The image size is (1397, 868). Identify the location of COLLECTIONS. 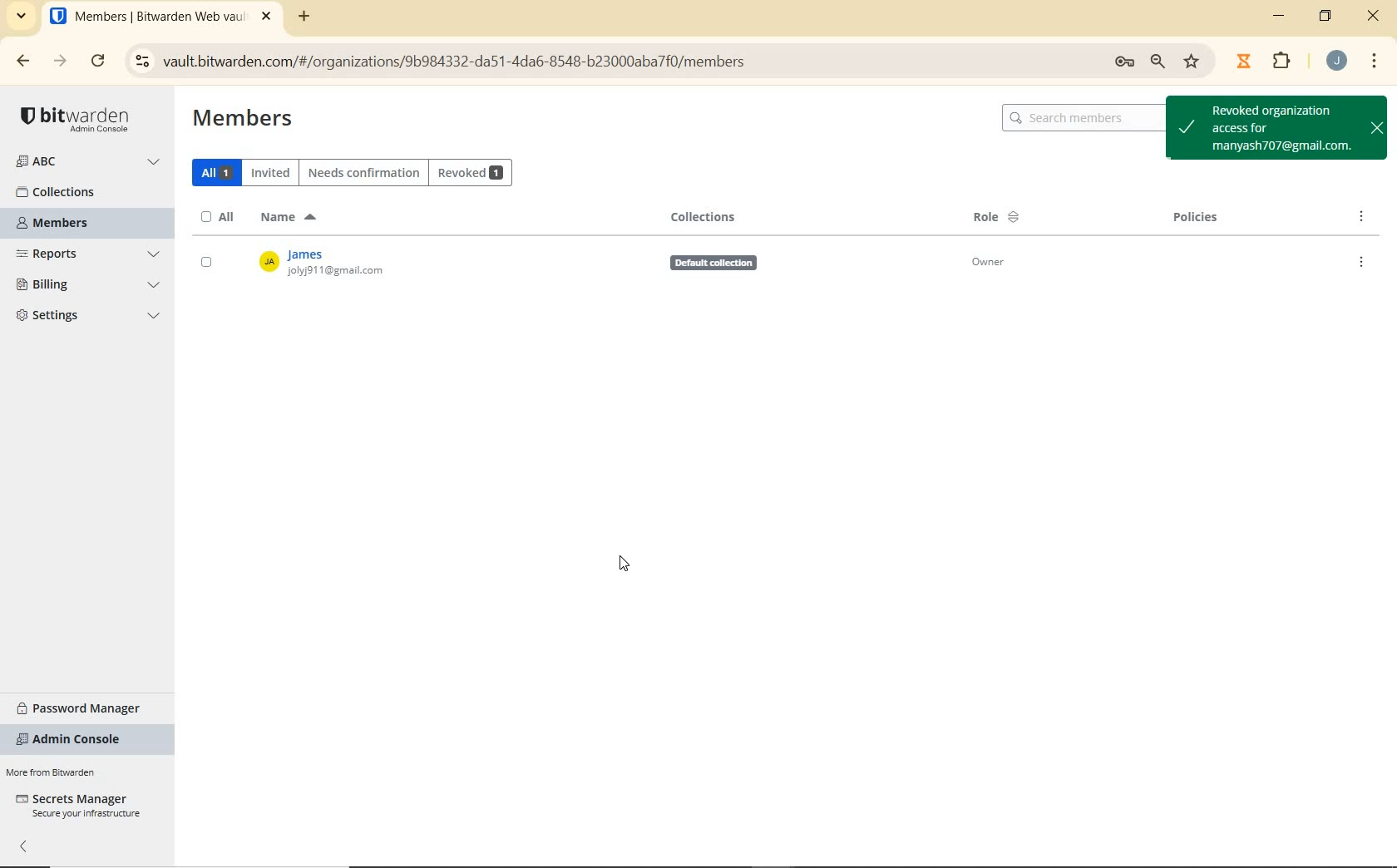
(697, 216).